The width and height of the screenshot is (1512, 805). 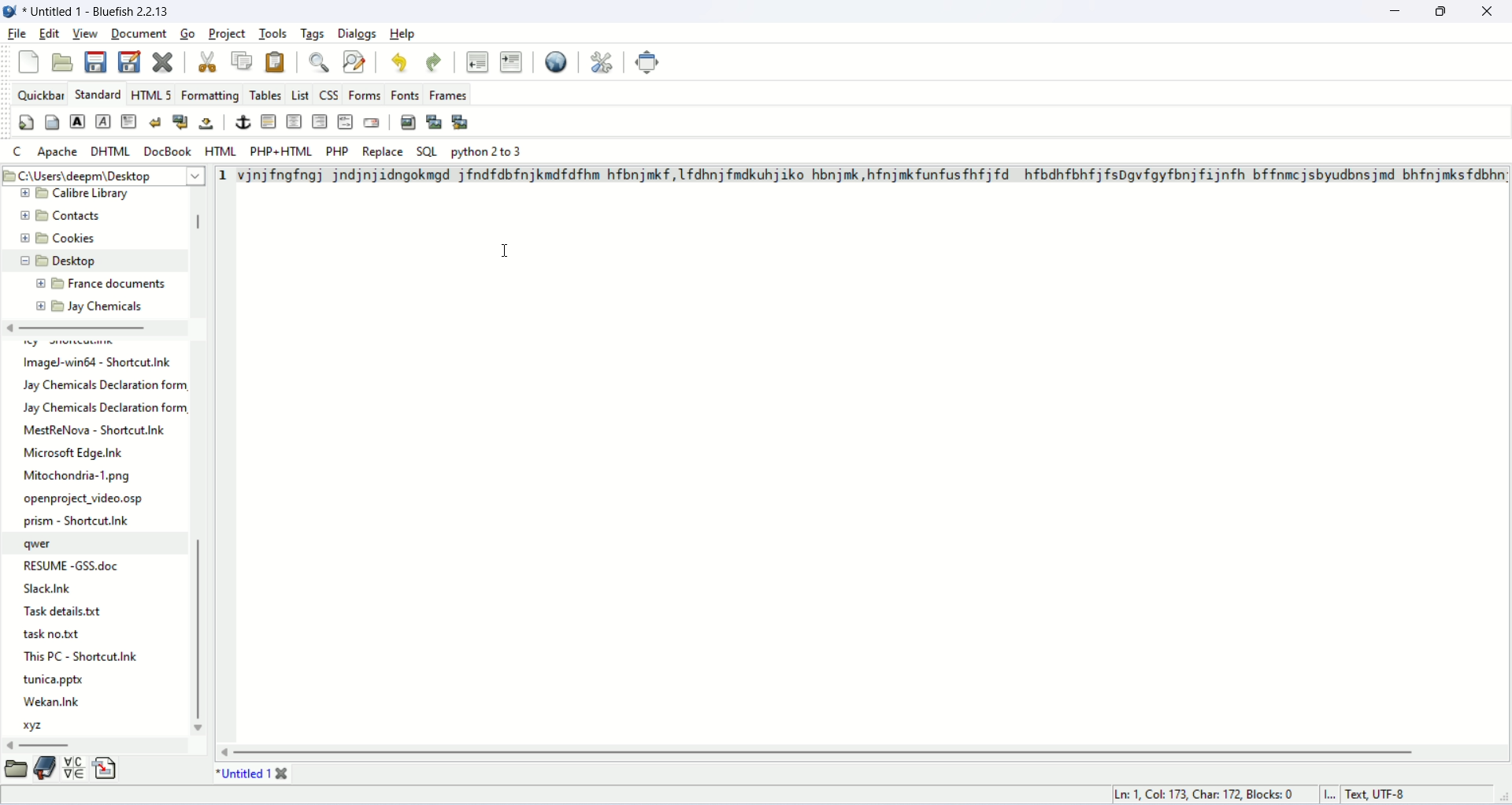 I want to click on Jay Chemicals Declaration form, so click(x=100, y=384).